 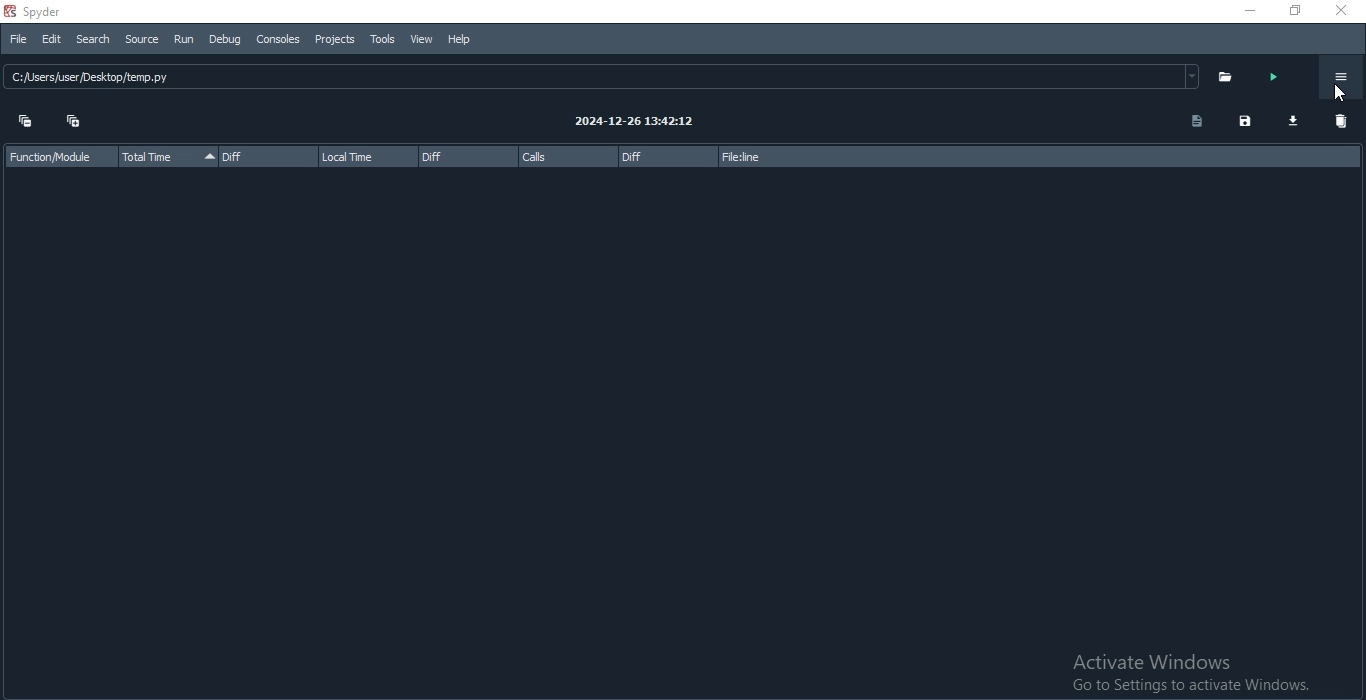 I want to click on Tools, so click(x=384, y=38).